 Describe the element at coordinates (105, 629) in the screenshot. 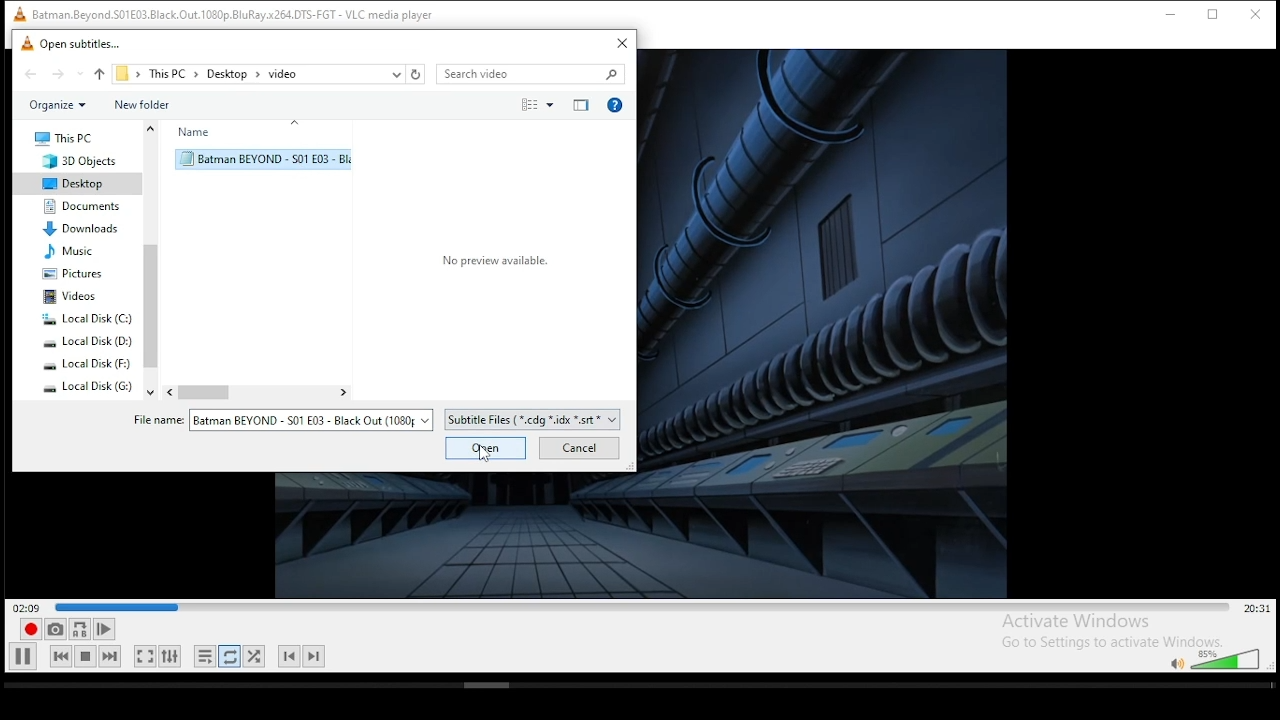

I see `frame by frame` at that location.